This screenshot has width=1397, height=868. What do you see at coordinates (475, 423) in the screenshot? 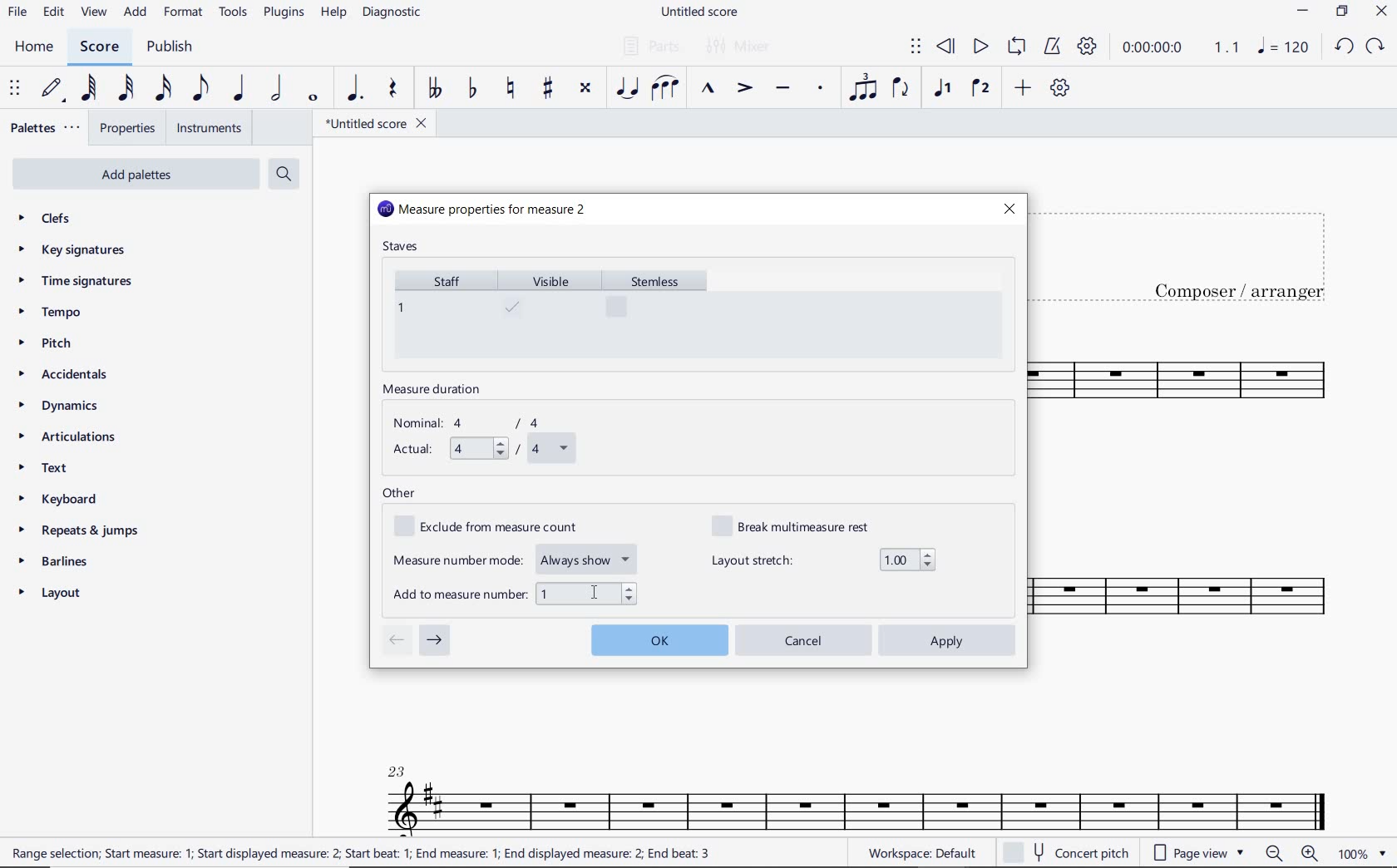
I see `nominal` at bounding box center [475, 423].